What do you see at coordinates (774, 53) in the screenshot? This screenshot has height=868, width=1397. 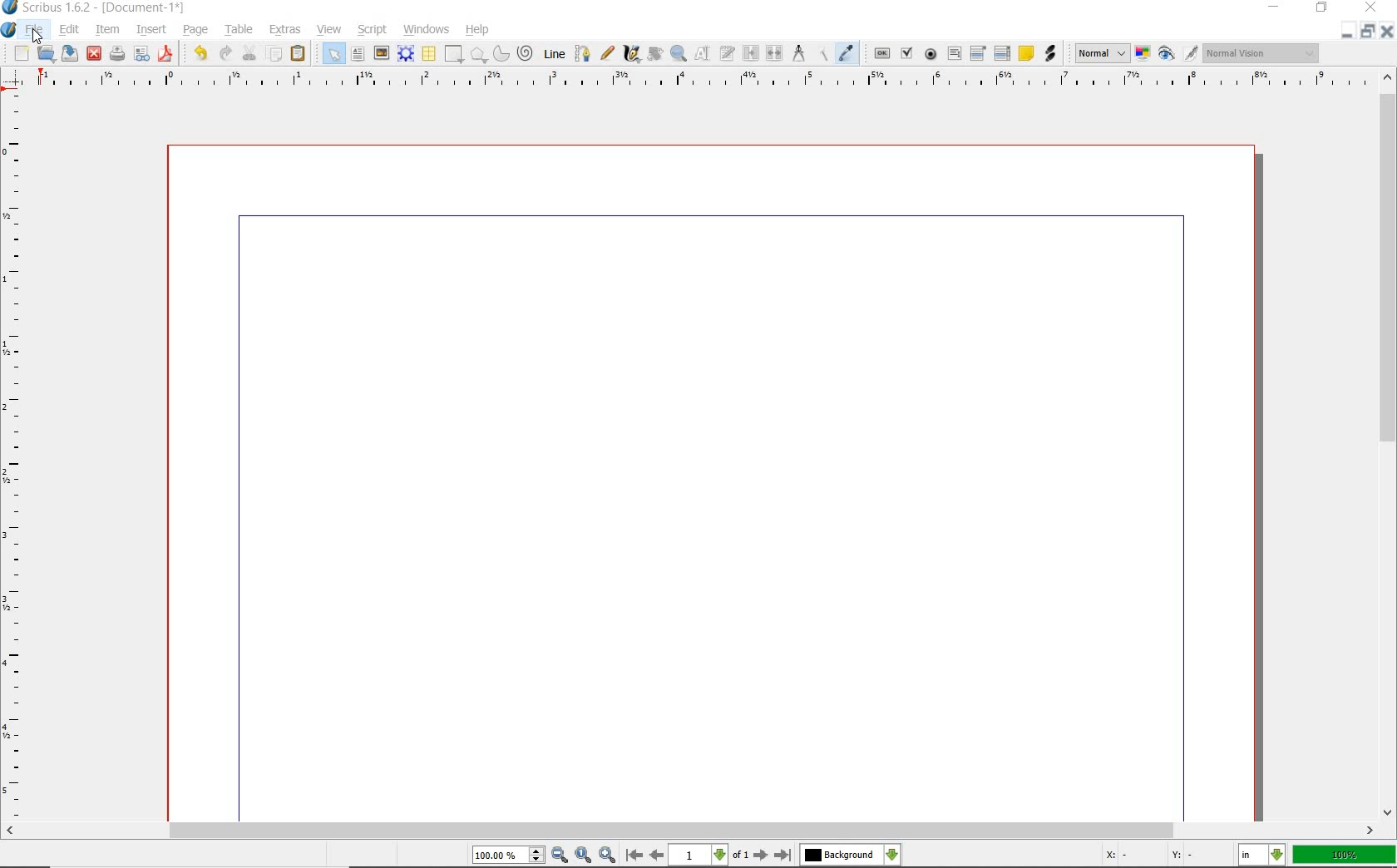 I see `unlink text frames` at bounding box center [774, 53].